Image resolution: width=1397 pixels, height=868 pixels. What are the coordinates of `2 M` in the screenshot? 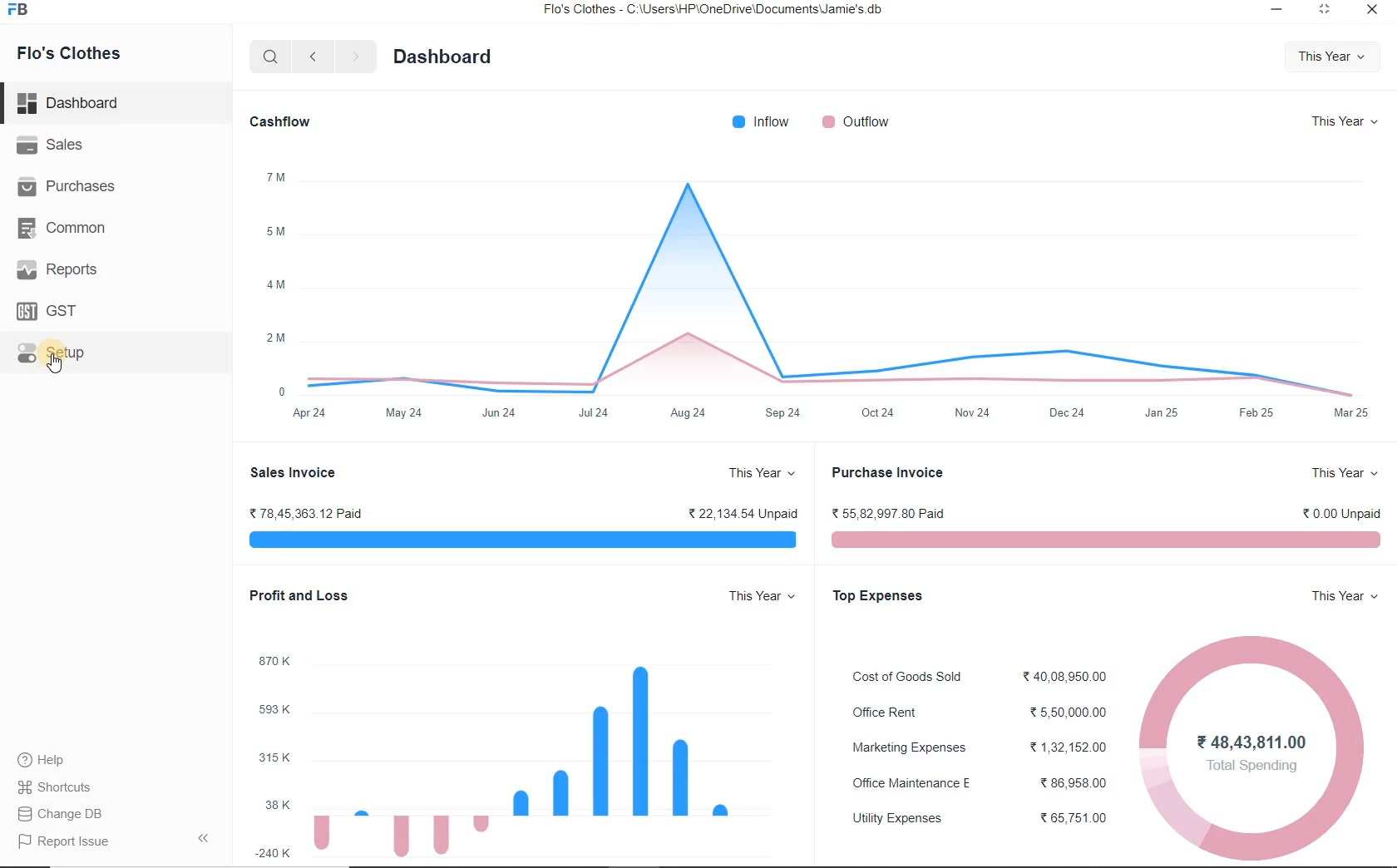 It's located at (278, 337).